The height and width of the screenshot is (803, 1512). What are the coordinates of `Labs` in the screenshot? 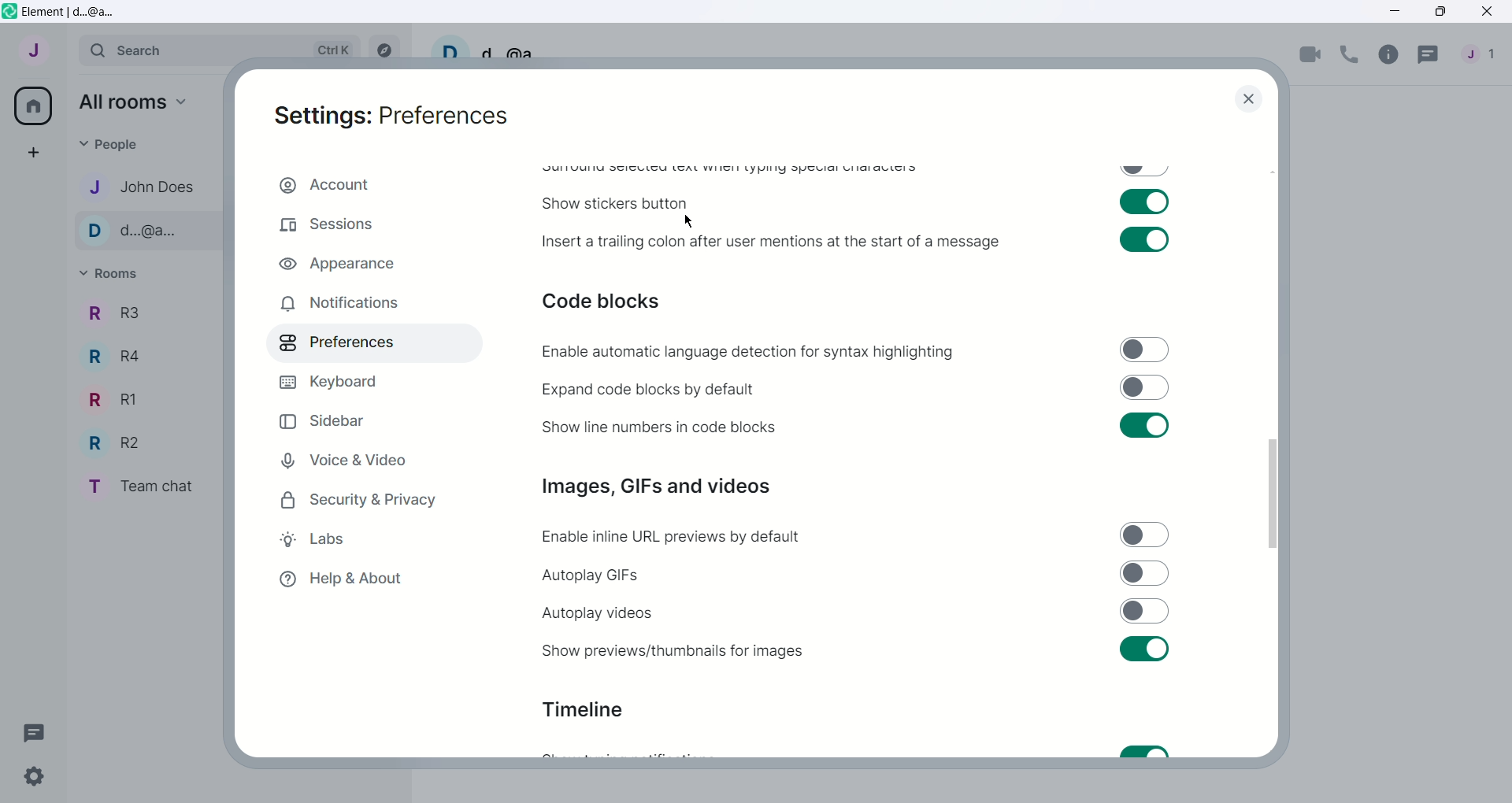 It's located at (360, 539).